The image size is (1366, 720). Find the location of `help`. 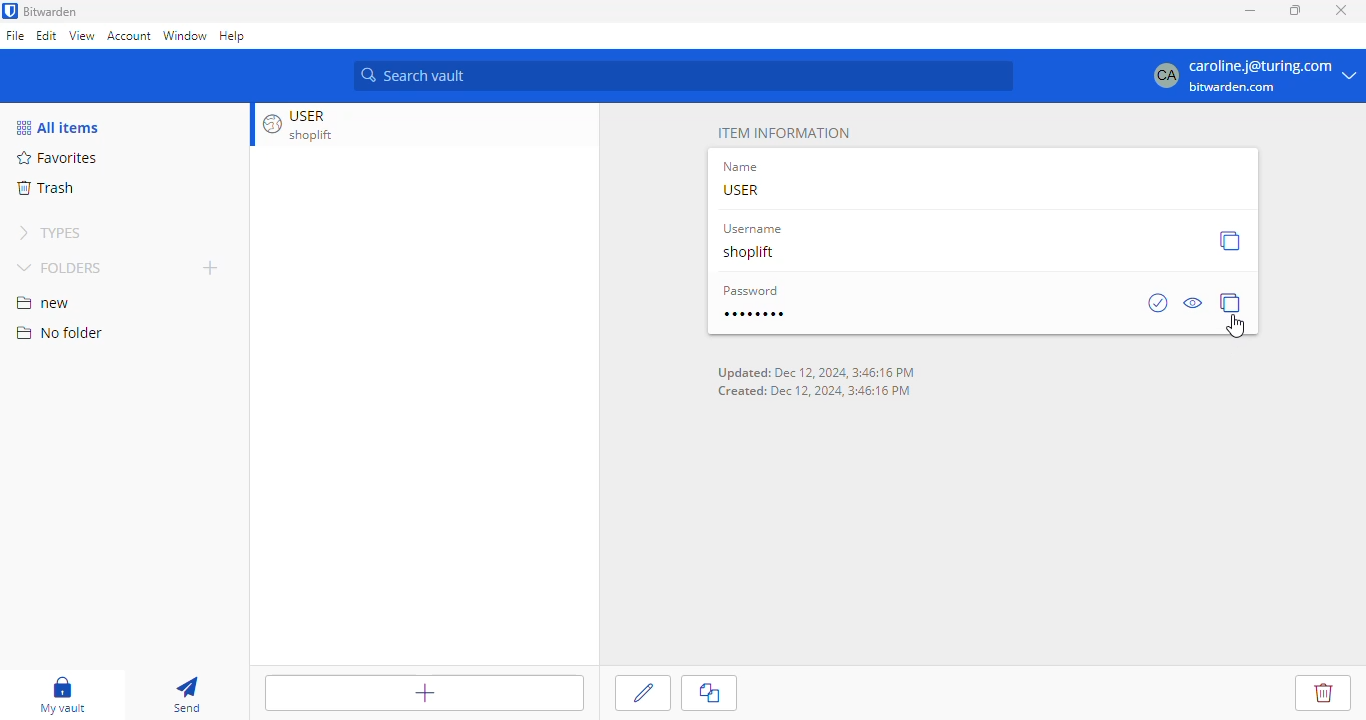

help is located at coordinates (233, 37).